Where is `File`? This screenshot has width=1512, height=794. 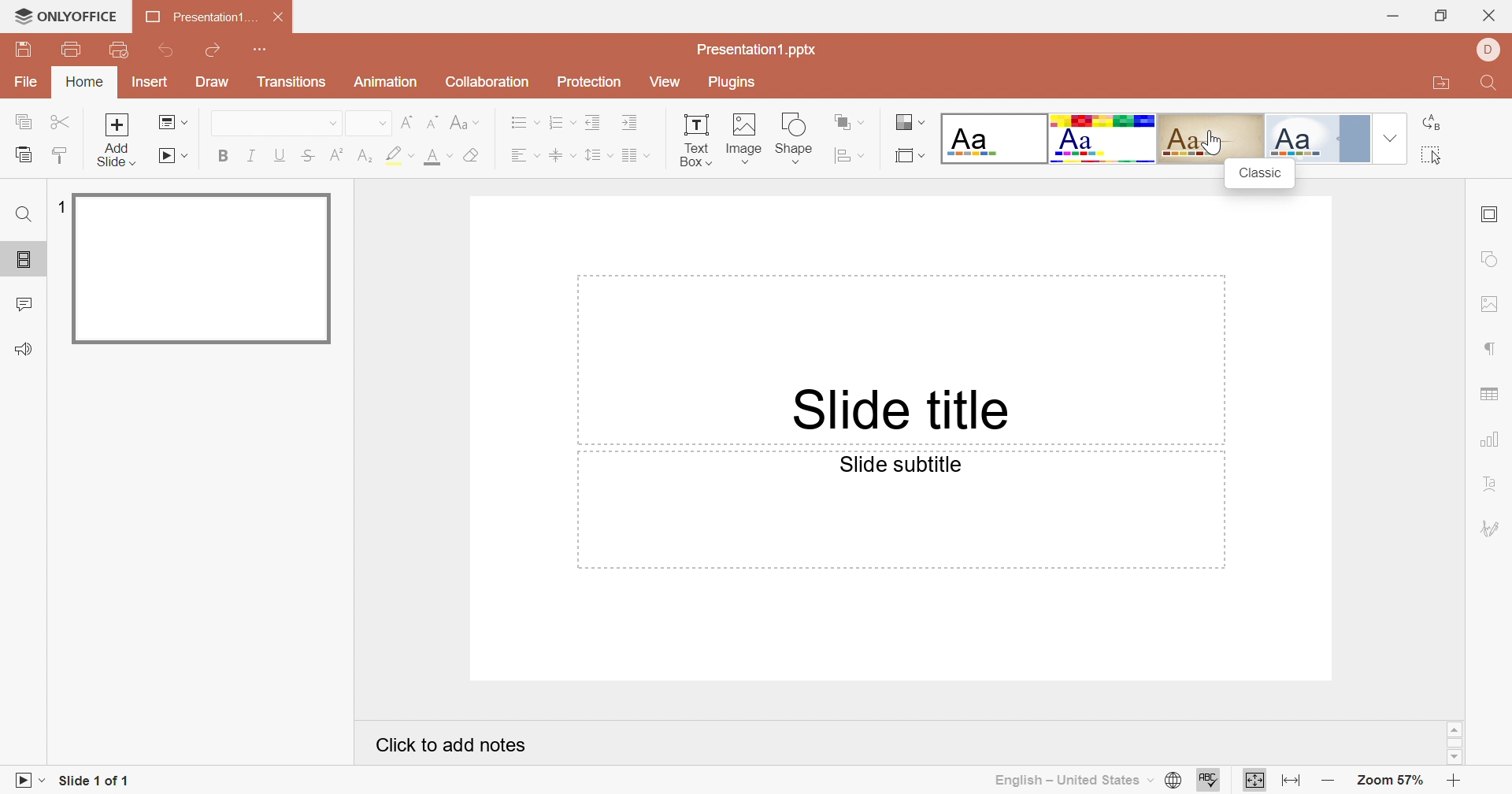 File is located at coordinates (28, 82).